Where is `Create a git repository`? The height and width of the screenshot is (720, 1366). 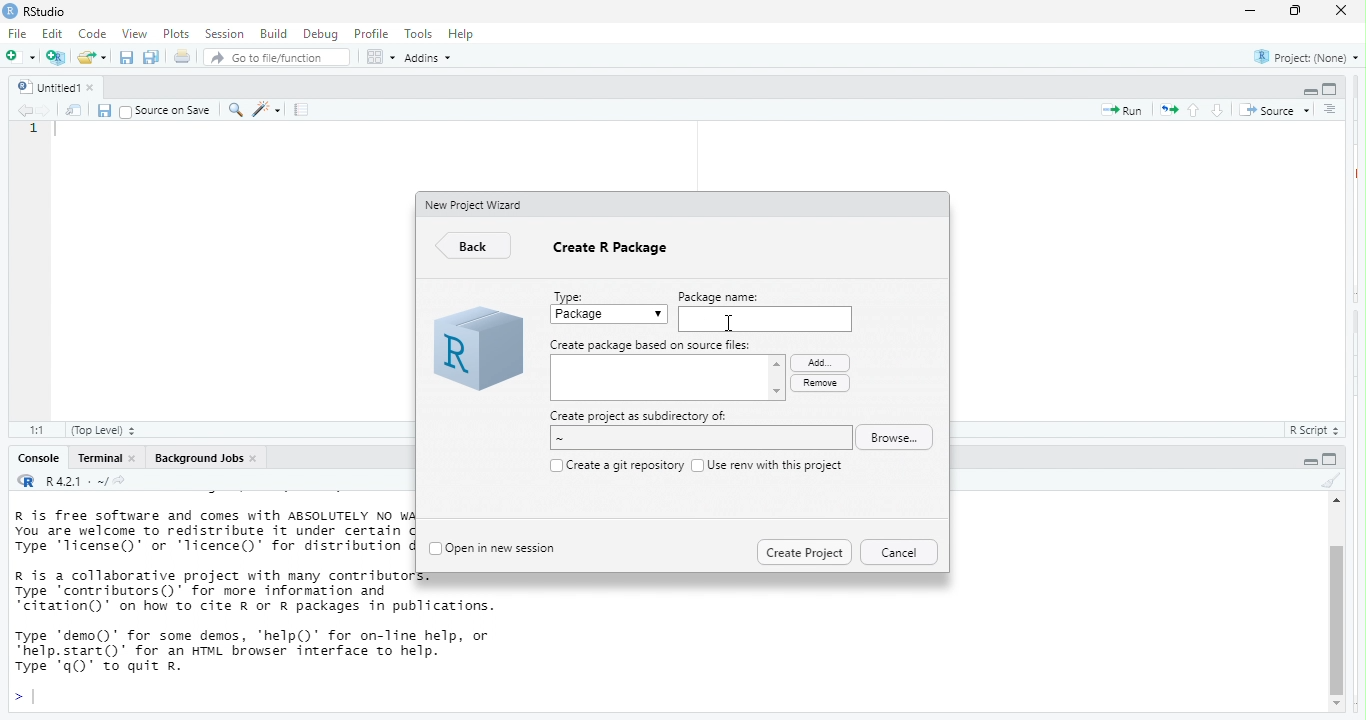 Create a git repository is located at coordinates (624, 464).